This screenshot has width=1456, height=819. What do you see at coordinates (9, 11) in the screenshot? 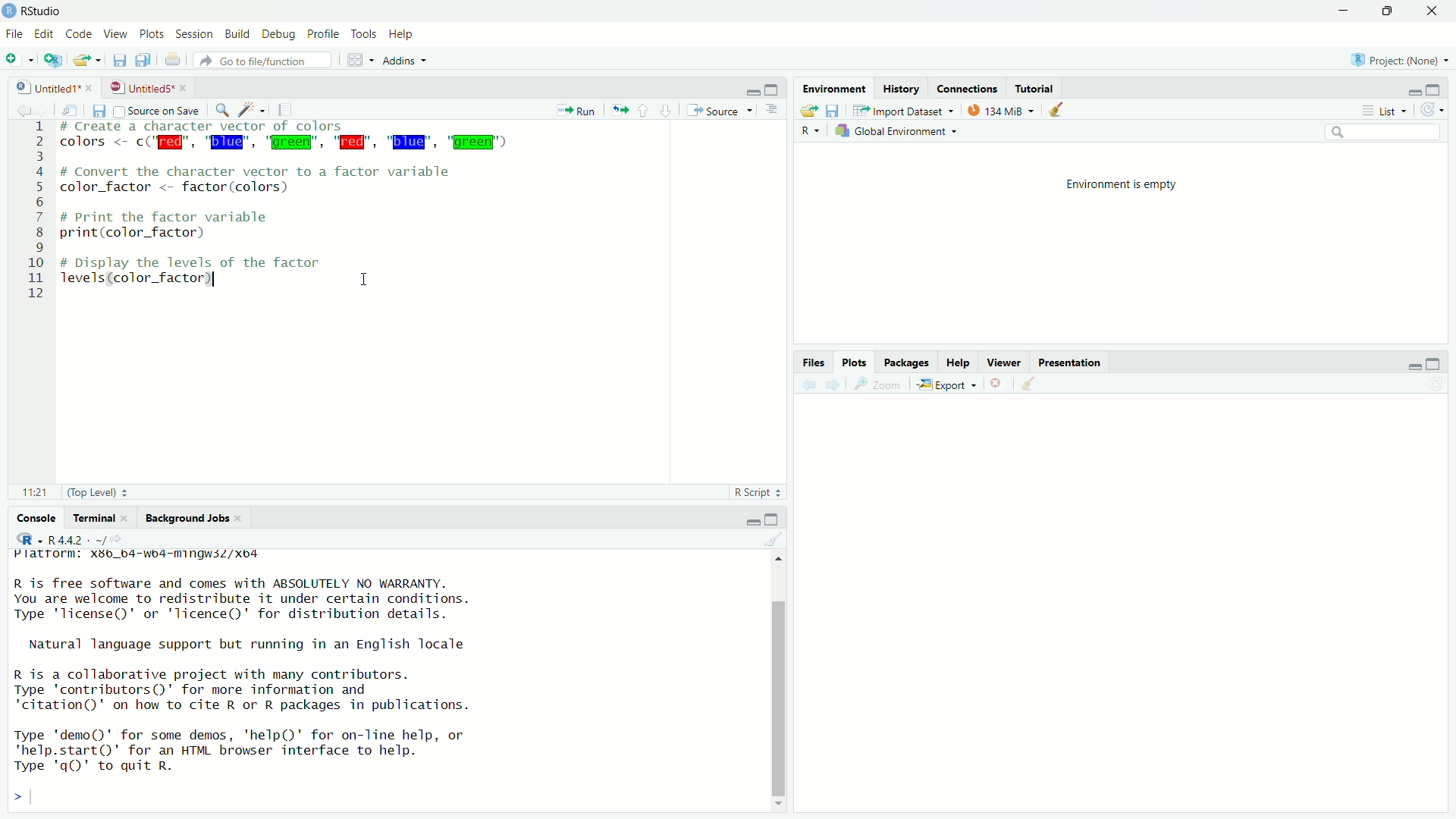
I see `logo` at bounding box center [9, 11].